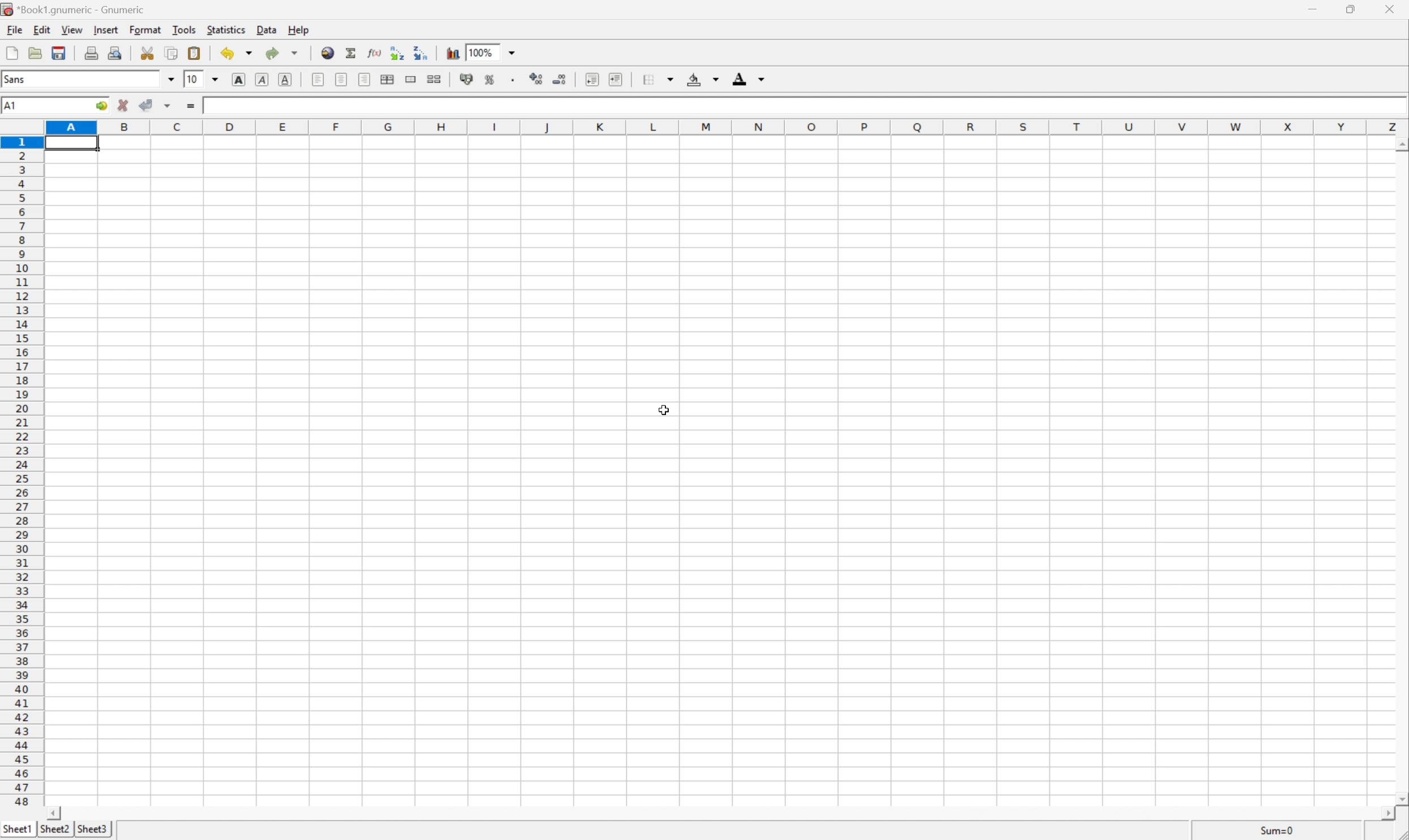 Image resolution: width=1409 pixels, height=840 pixels. What do you see at coordinates (352, 52) in the screenshot?
I see `Sum in current cell` at bounding box center [352, 52].